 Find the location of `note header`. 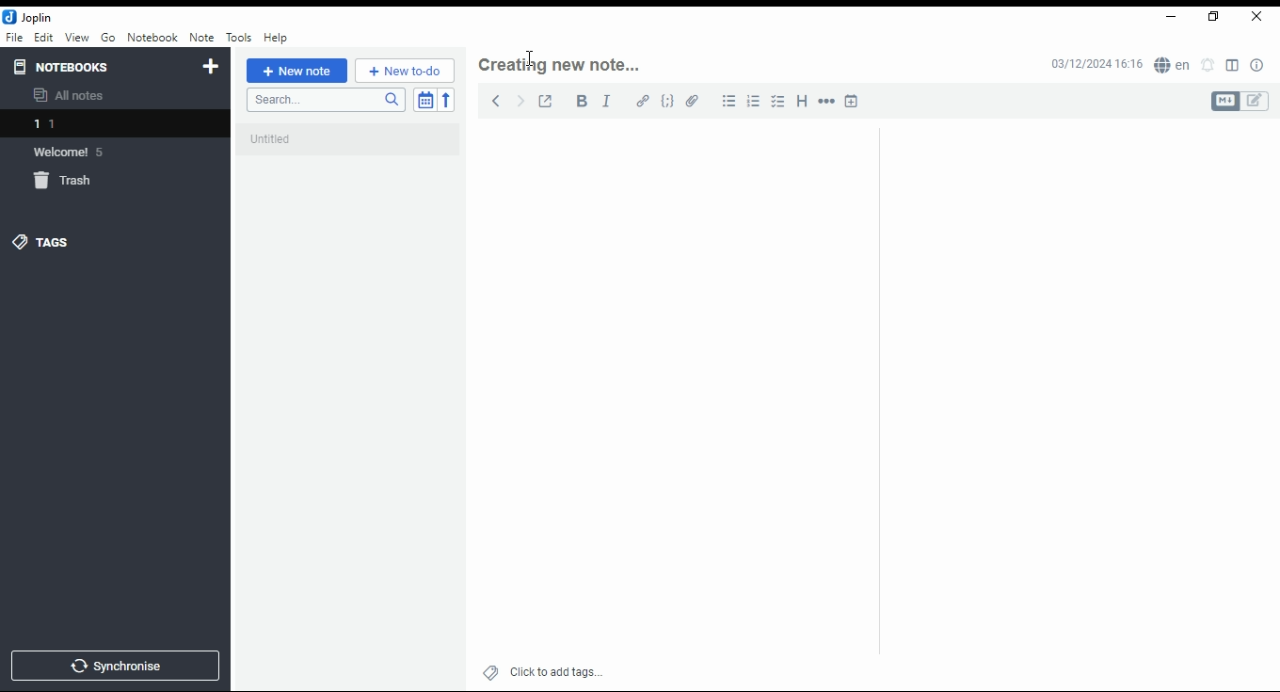

note header is located at coordinates (563, 65).